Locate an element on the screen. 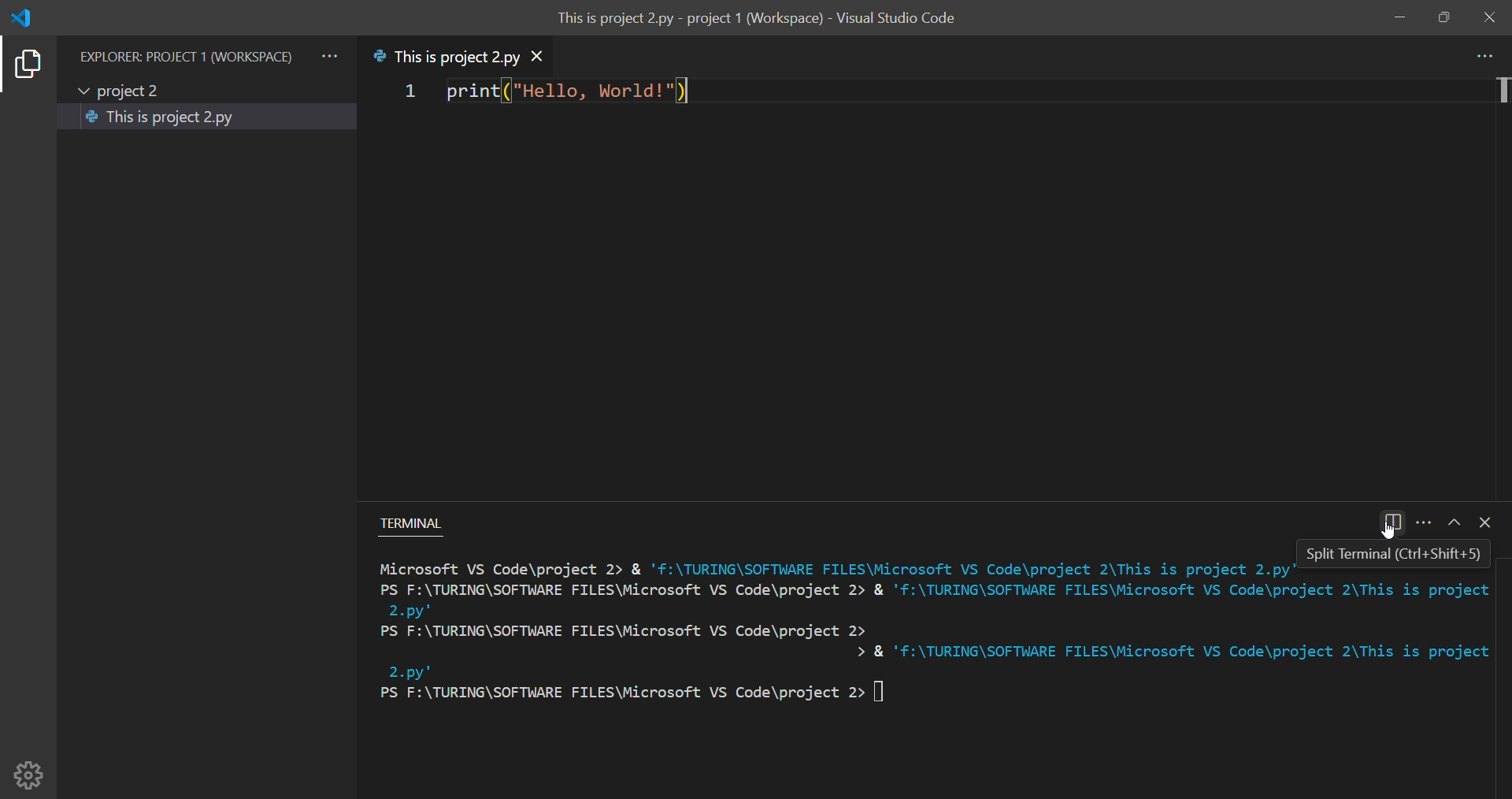 The height and width of the screenshot is (799, 1512). cursor is located at coordinates (1384, 534).